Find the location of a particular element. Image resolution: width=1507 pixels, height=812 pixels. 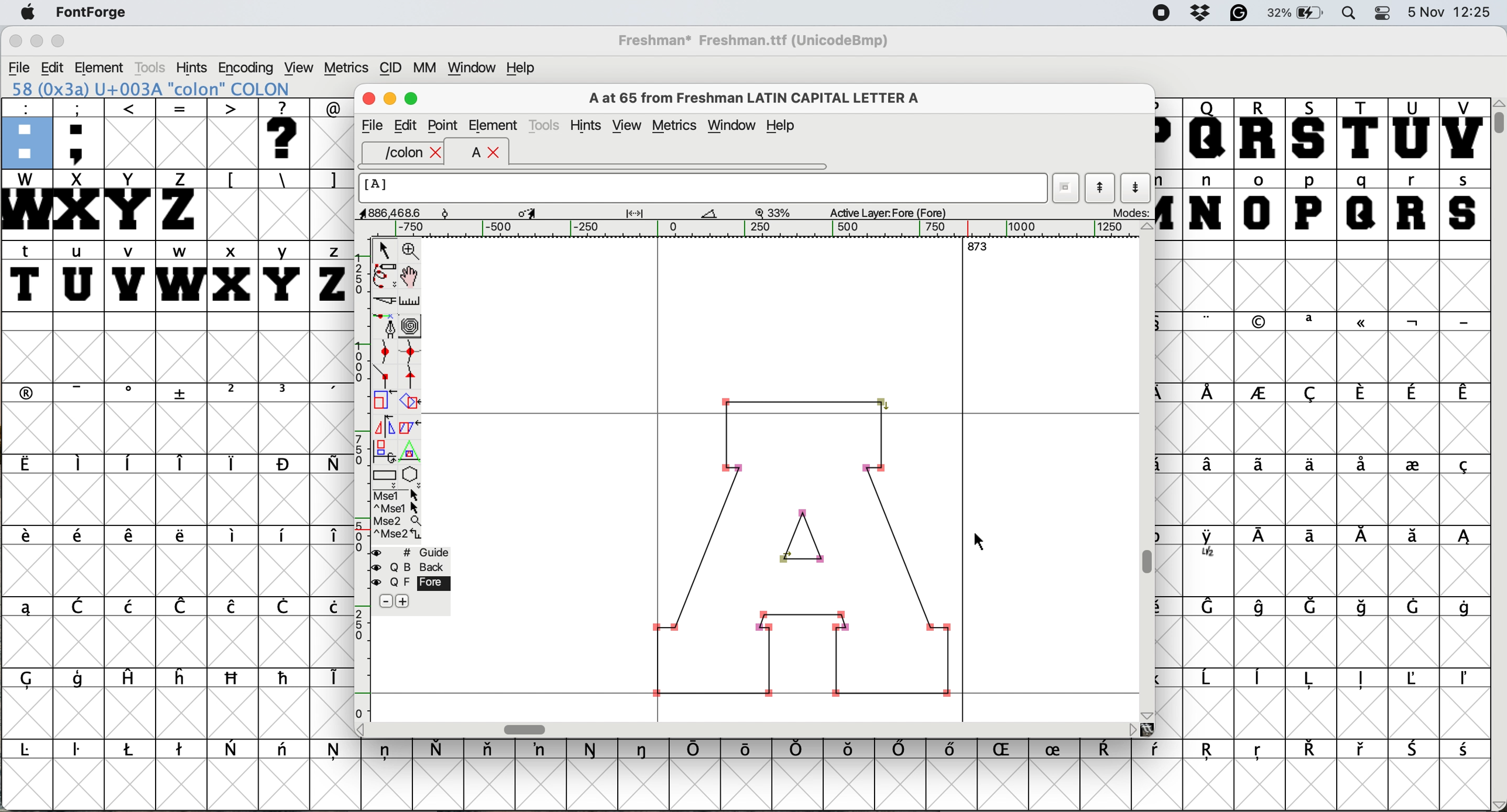

symbol is located at coordinates (1363, 466).